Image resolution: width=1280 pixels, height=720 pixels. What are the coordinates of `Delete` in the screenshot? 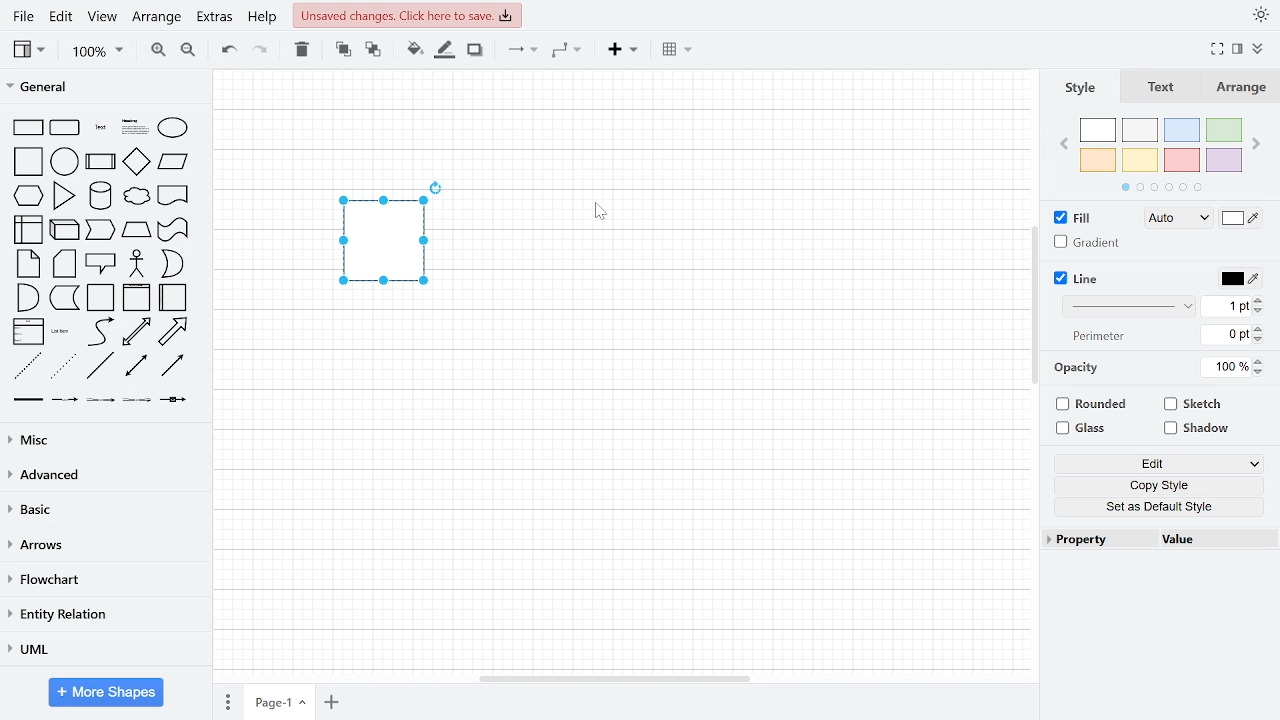 It's located at (302, 50).